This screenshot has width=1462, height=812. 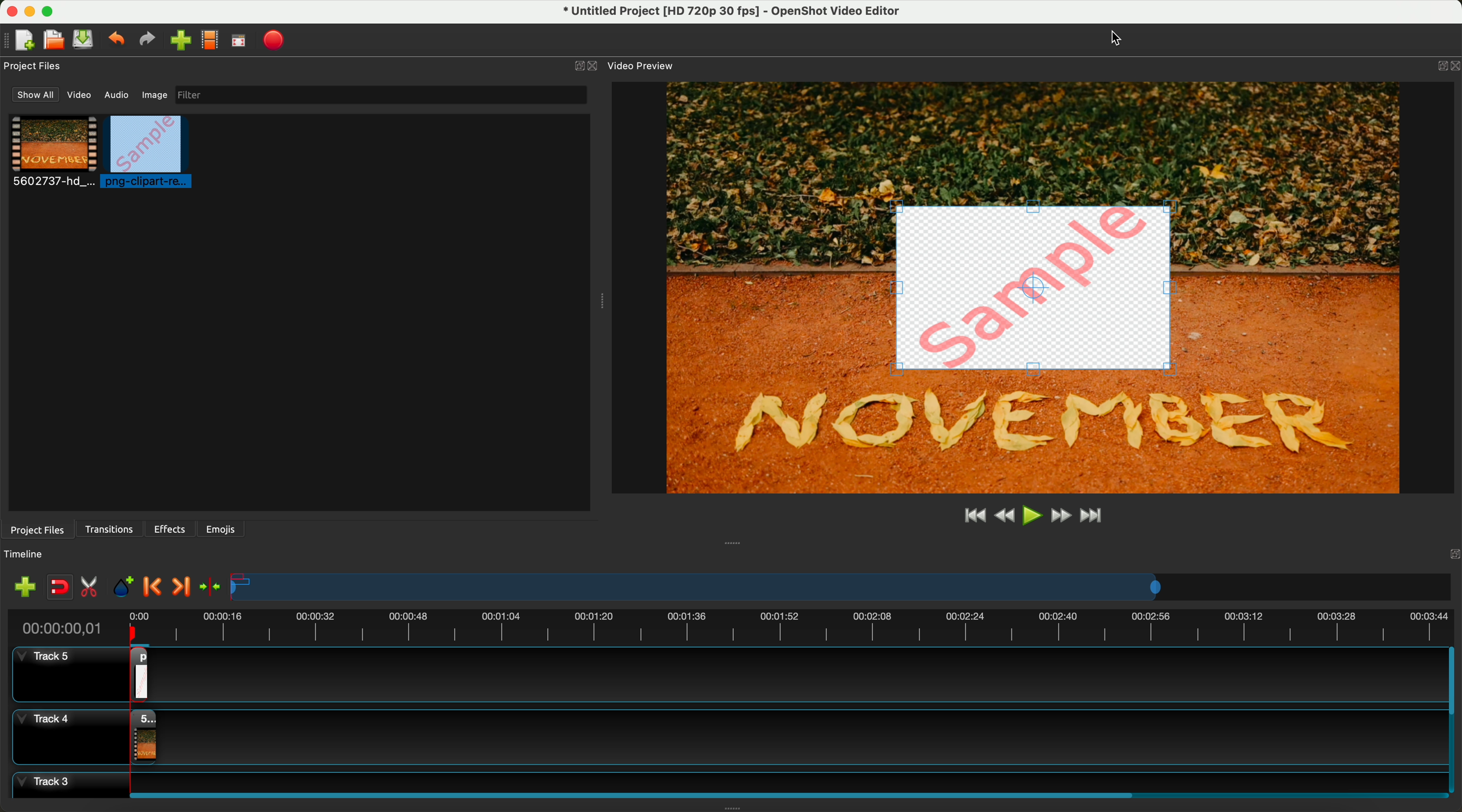 I want to click on watermark added, so click(x=1034, y=287).